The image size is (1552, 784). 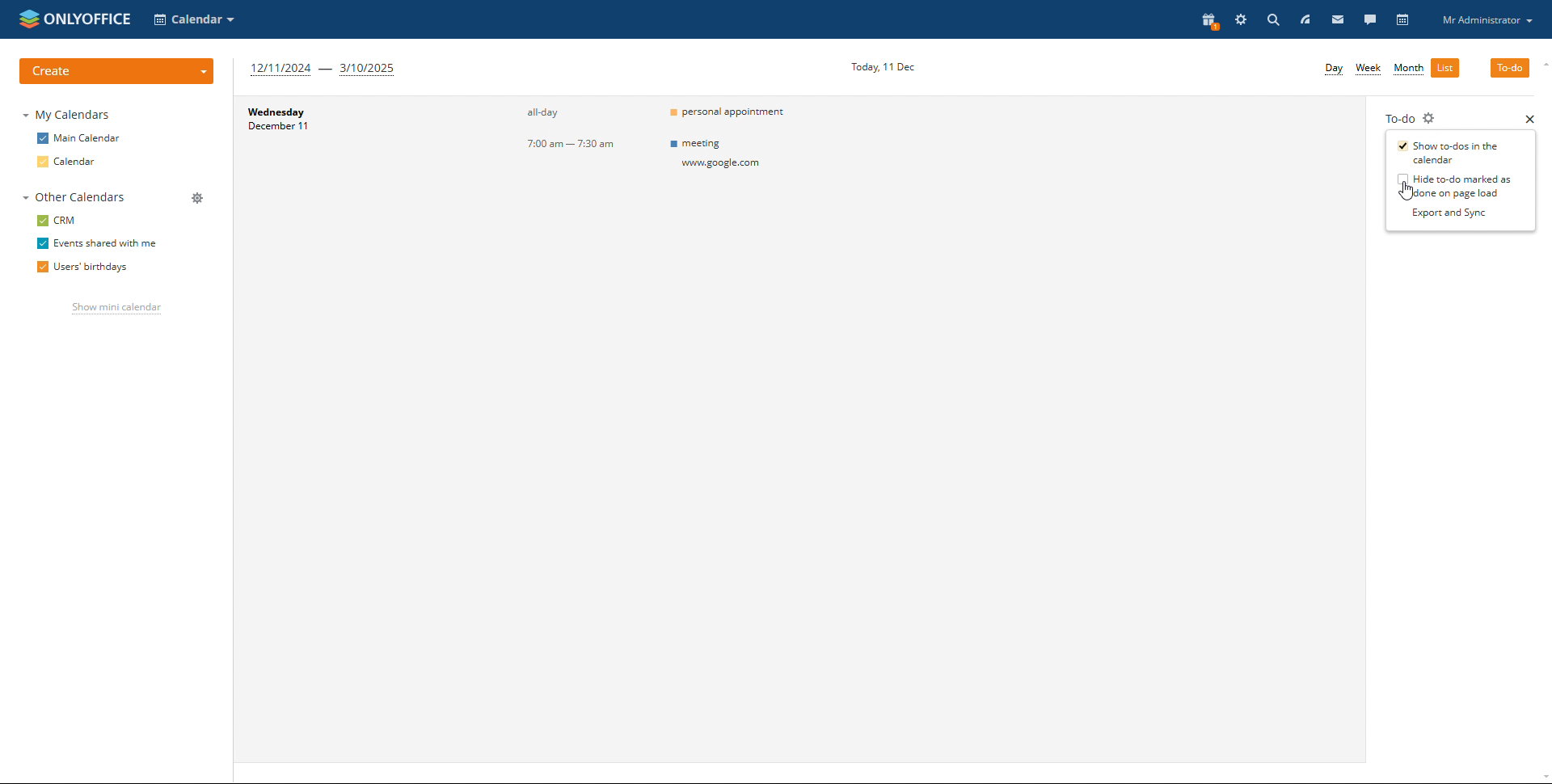 What do you see at coordinates (1542, 777) in the screenshot?
I see `scroll down` at bounding box center [1542, 777].